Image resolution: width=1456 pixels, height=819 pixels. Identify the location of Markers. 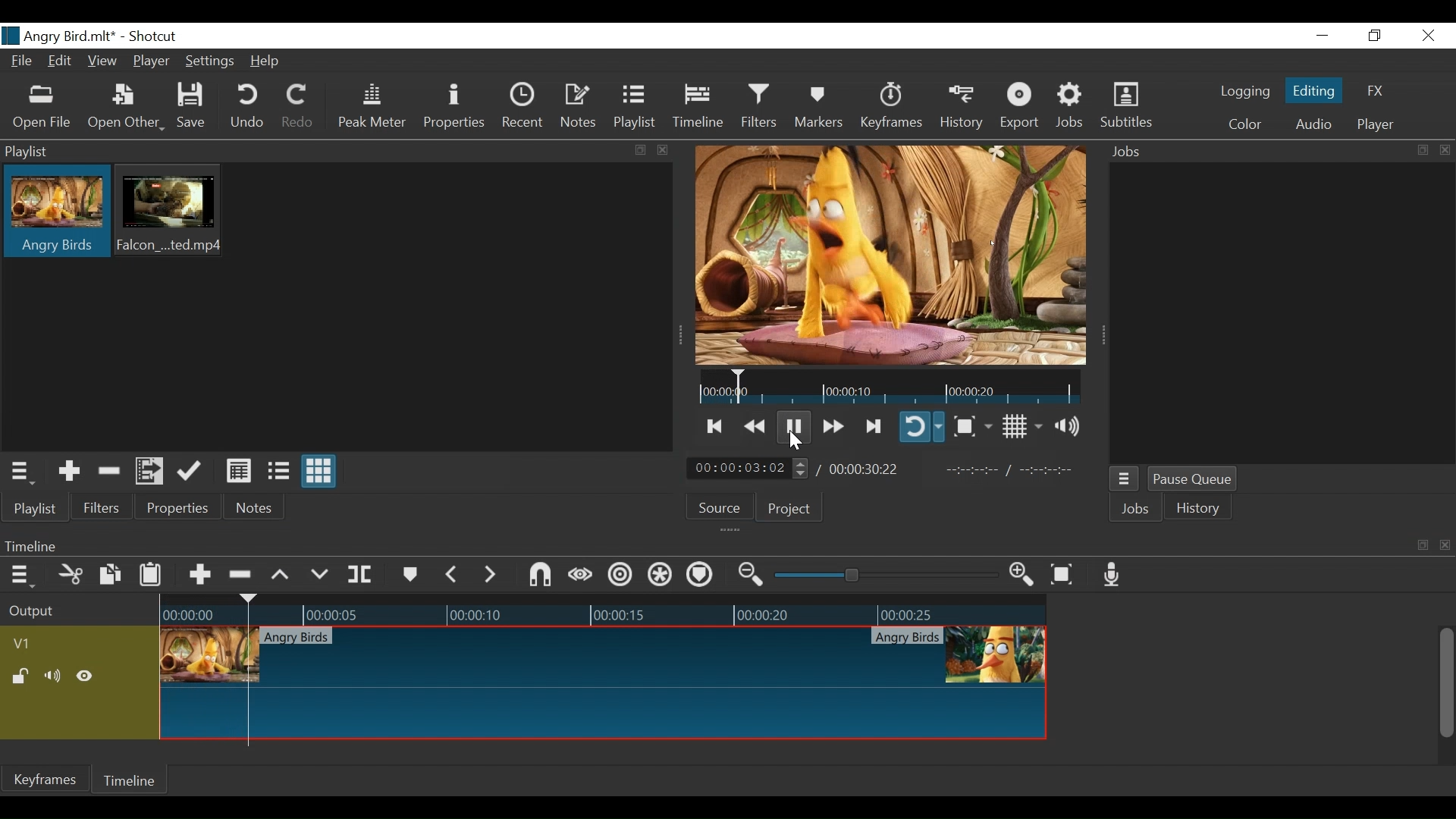
(411, 573).